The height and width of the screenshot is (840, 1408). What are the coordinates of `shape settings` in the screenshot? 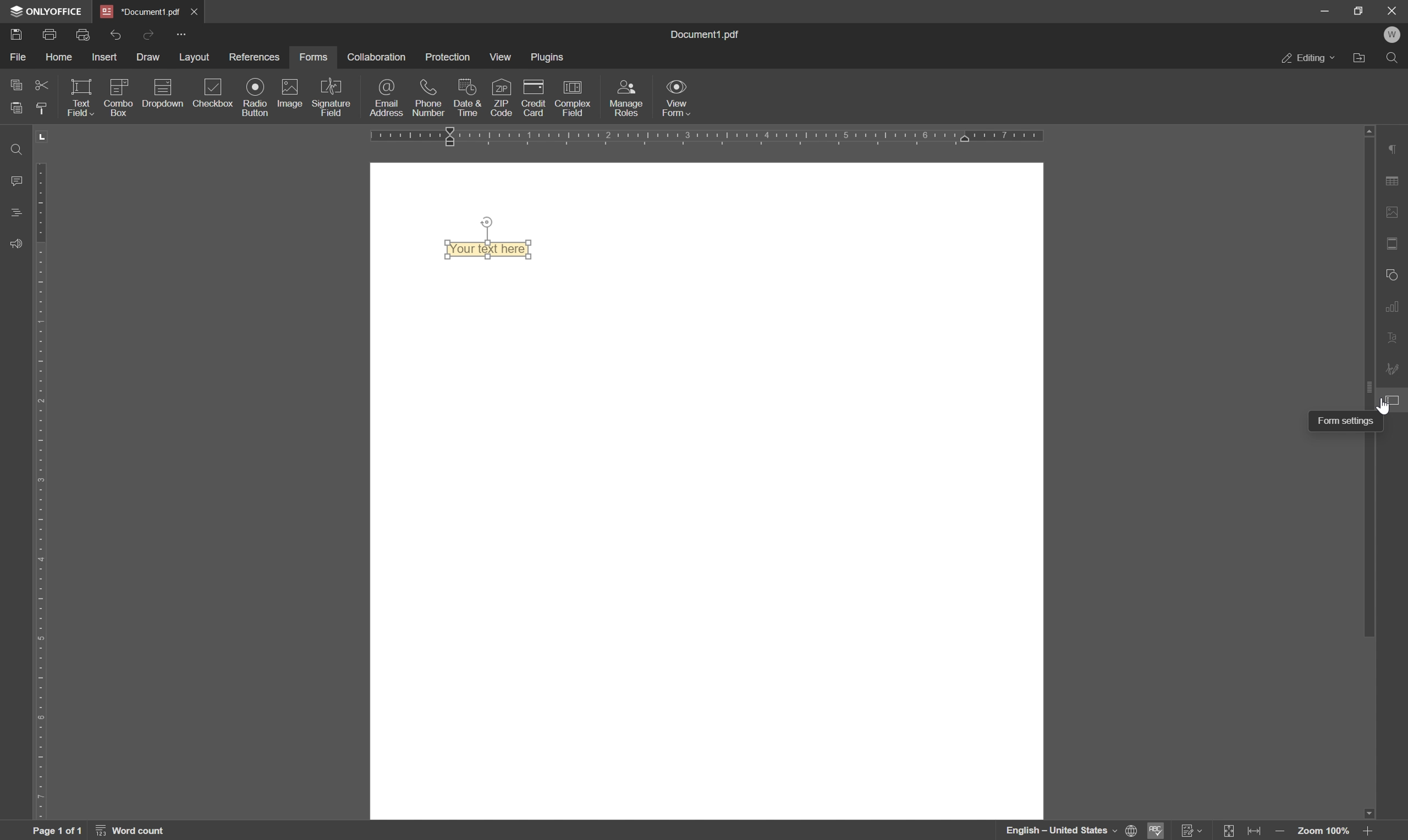 It's located at (1393, 274).